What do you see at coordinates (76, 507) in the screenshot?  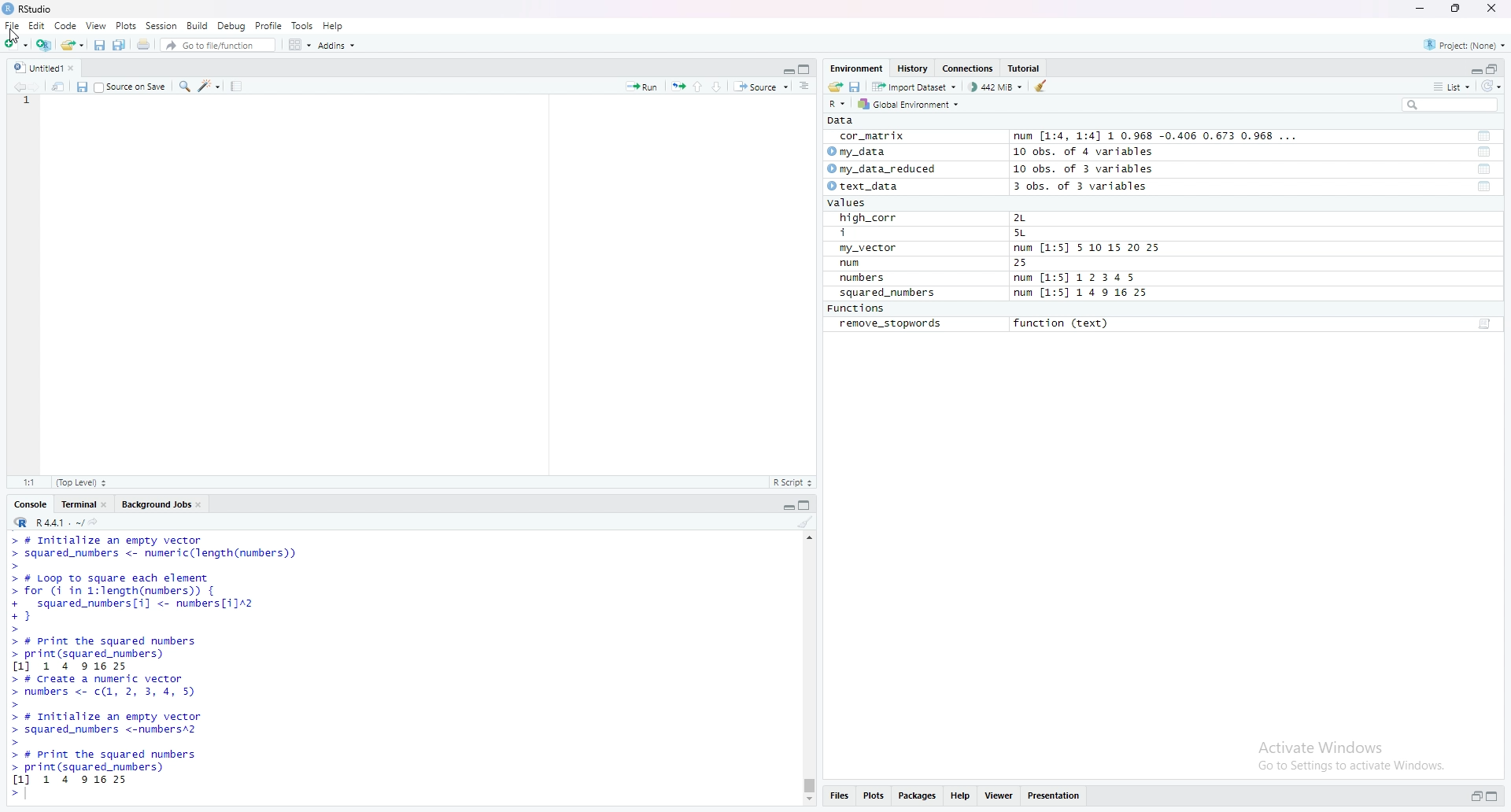 I see `Terminal` at bounding box center [76, 507].